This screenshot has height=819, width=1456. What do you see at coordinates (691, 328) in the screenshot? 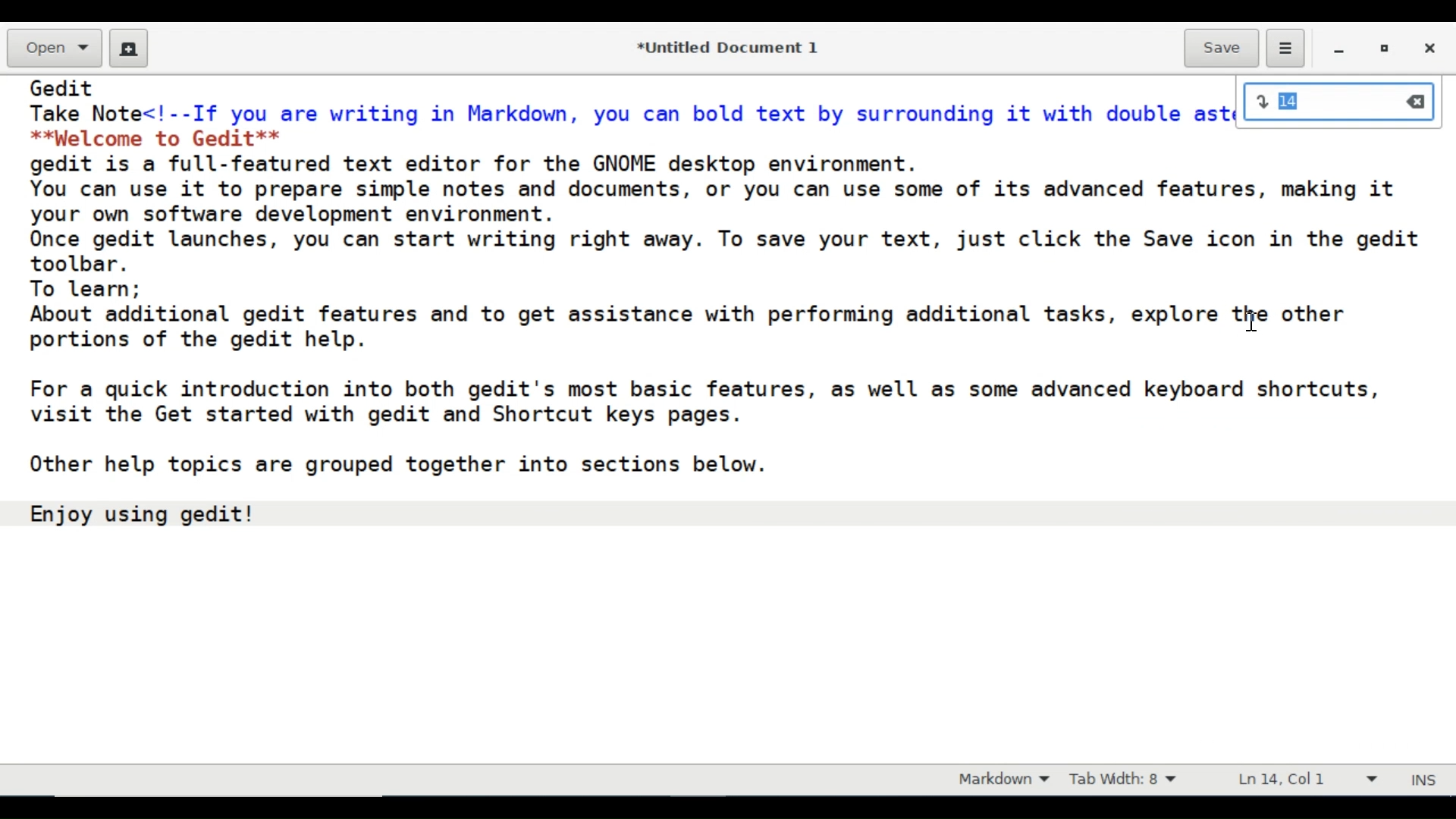
I see `About additional gedit features and to get assistance with performing additional tasks, explore the other
portions of the gedit help.` at bounding box center [691, 328].